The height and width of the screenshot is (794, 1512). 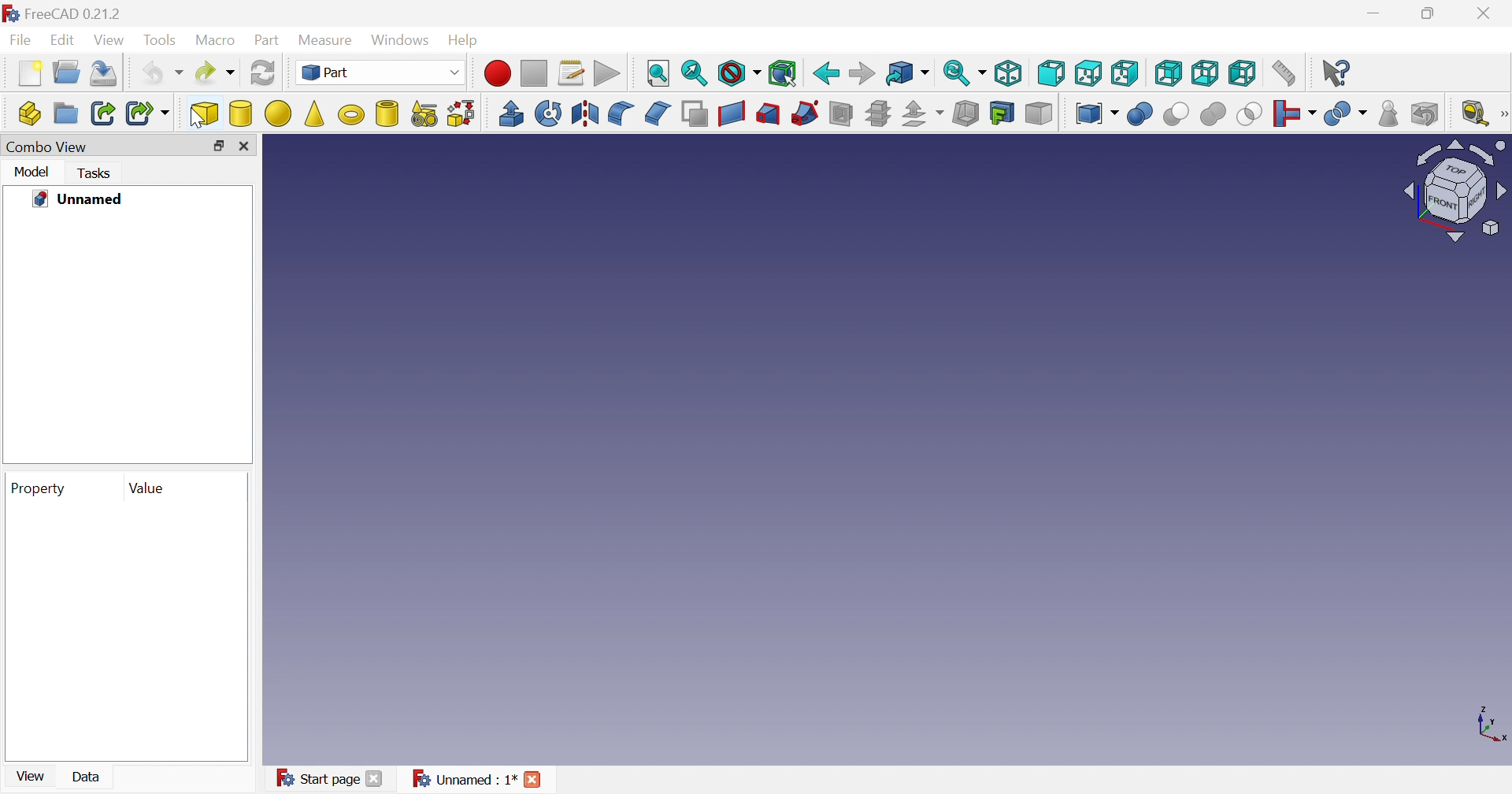 What do you see at coordinates (1489, 11) in the screenshot?
I see `Close` at bounding box center [1489, 11].